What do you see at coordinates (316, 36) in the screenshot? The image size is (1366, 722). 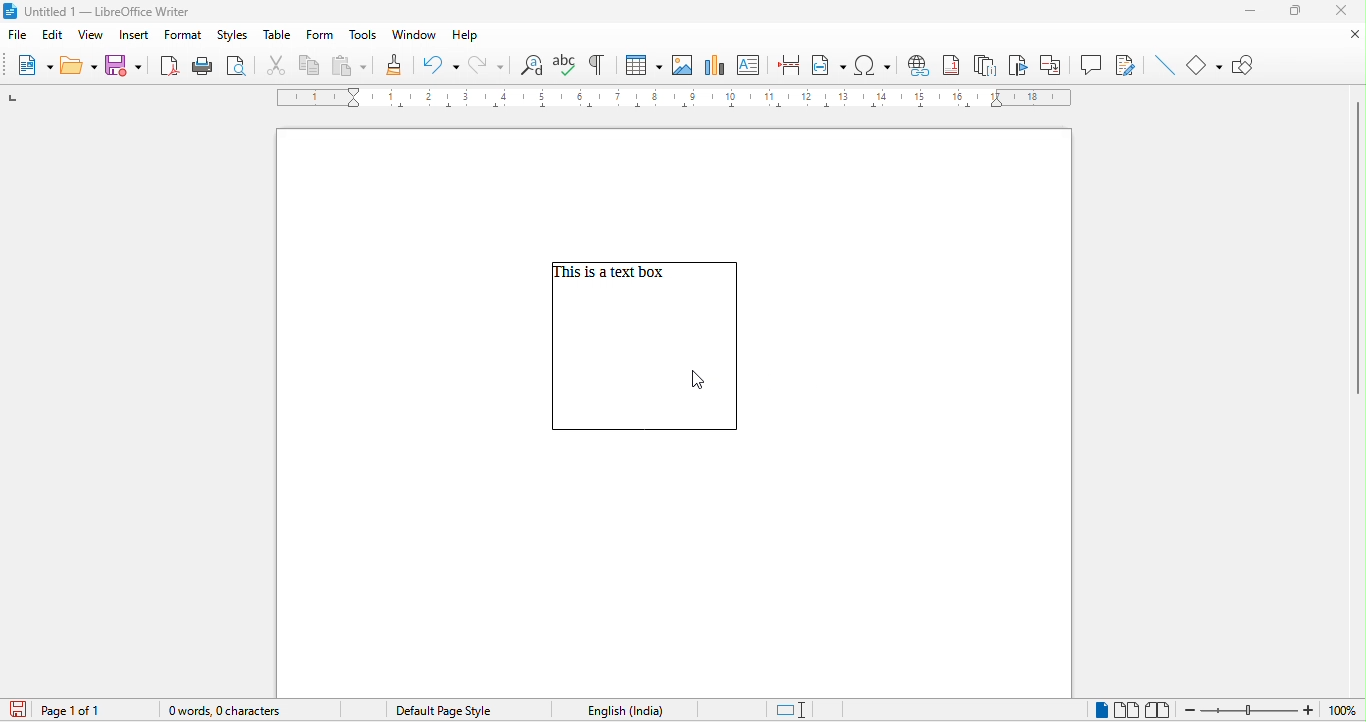 I see `form` at bounding box center [316, 36].